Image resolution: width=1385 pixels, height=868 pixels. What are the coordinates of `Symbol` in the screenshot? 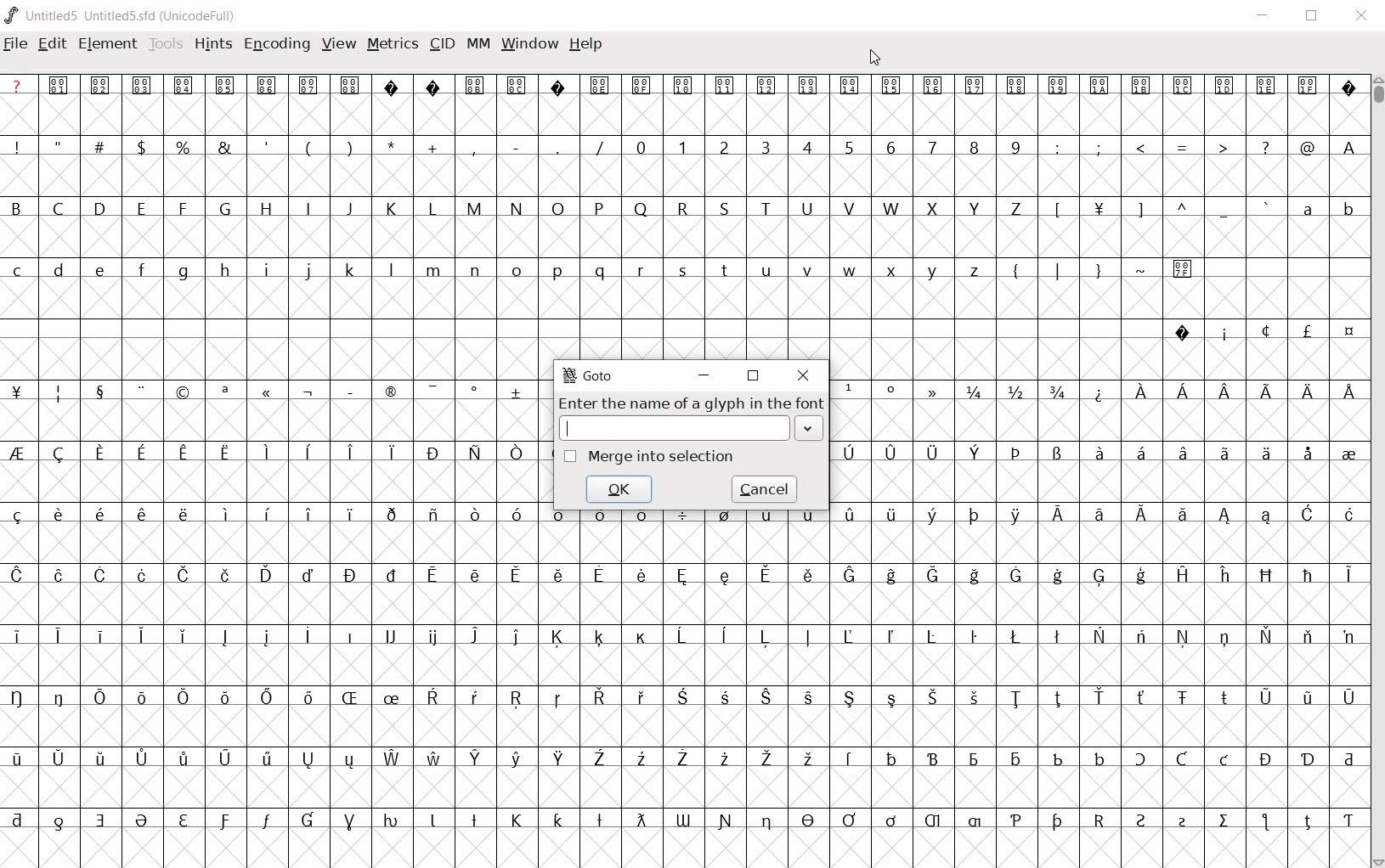 It's located at (934, 636).